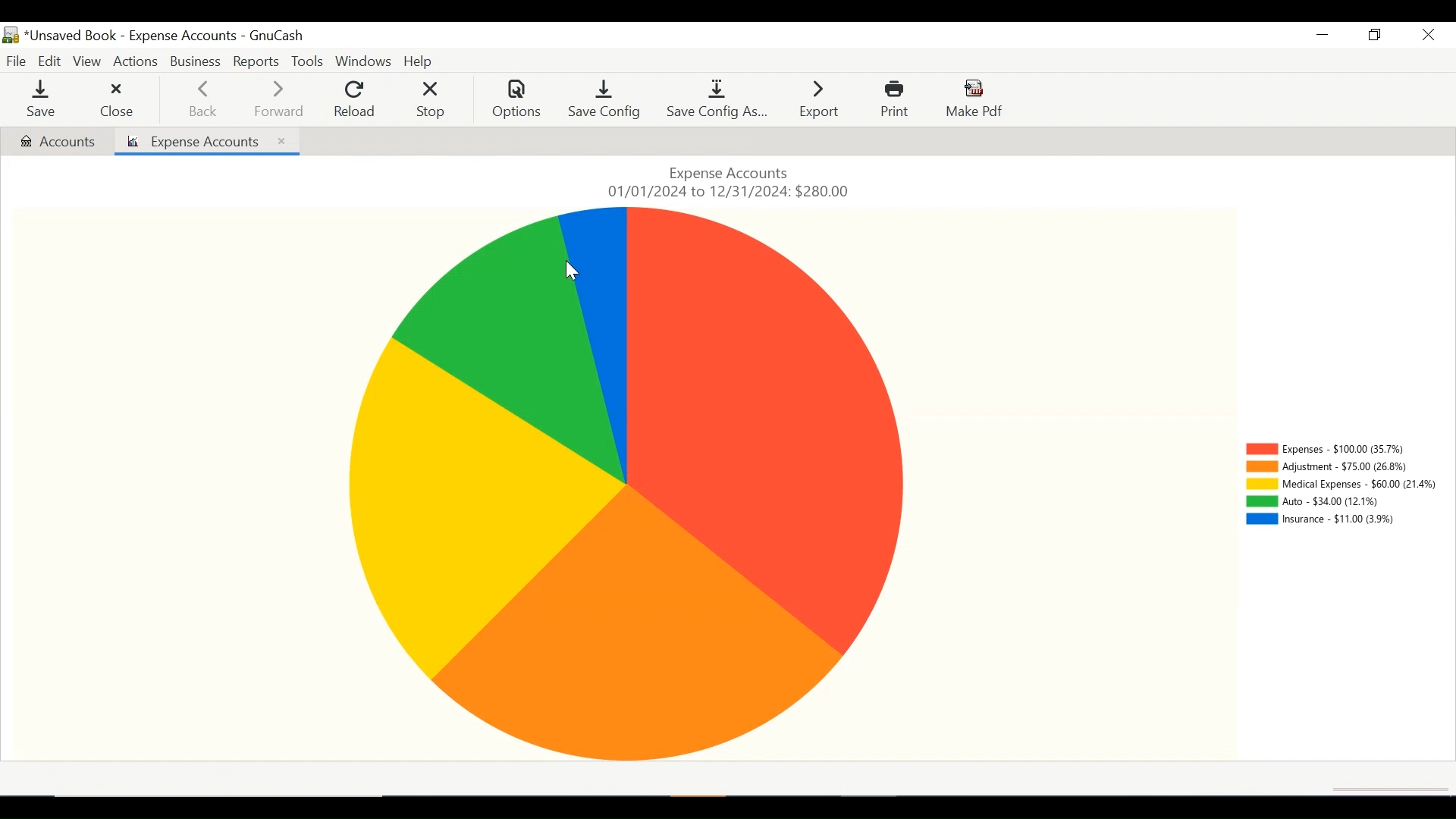  Describe the element at coordinates (1372, 36) in the screenshot. I see `Restore` at that location.